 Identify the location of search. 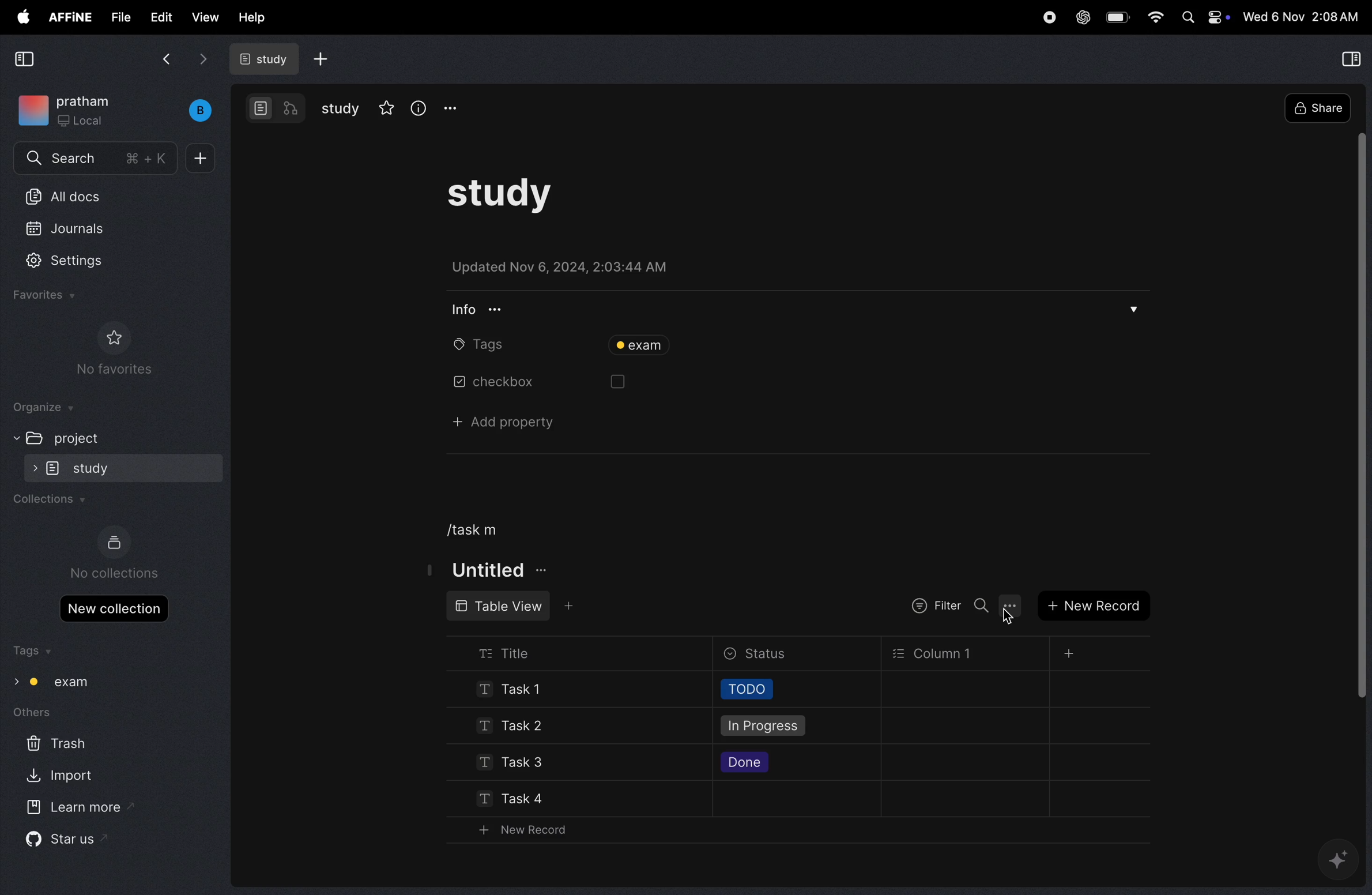
(96, 159).